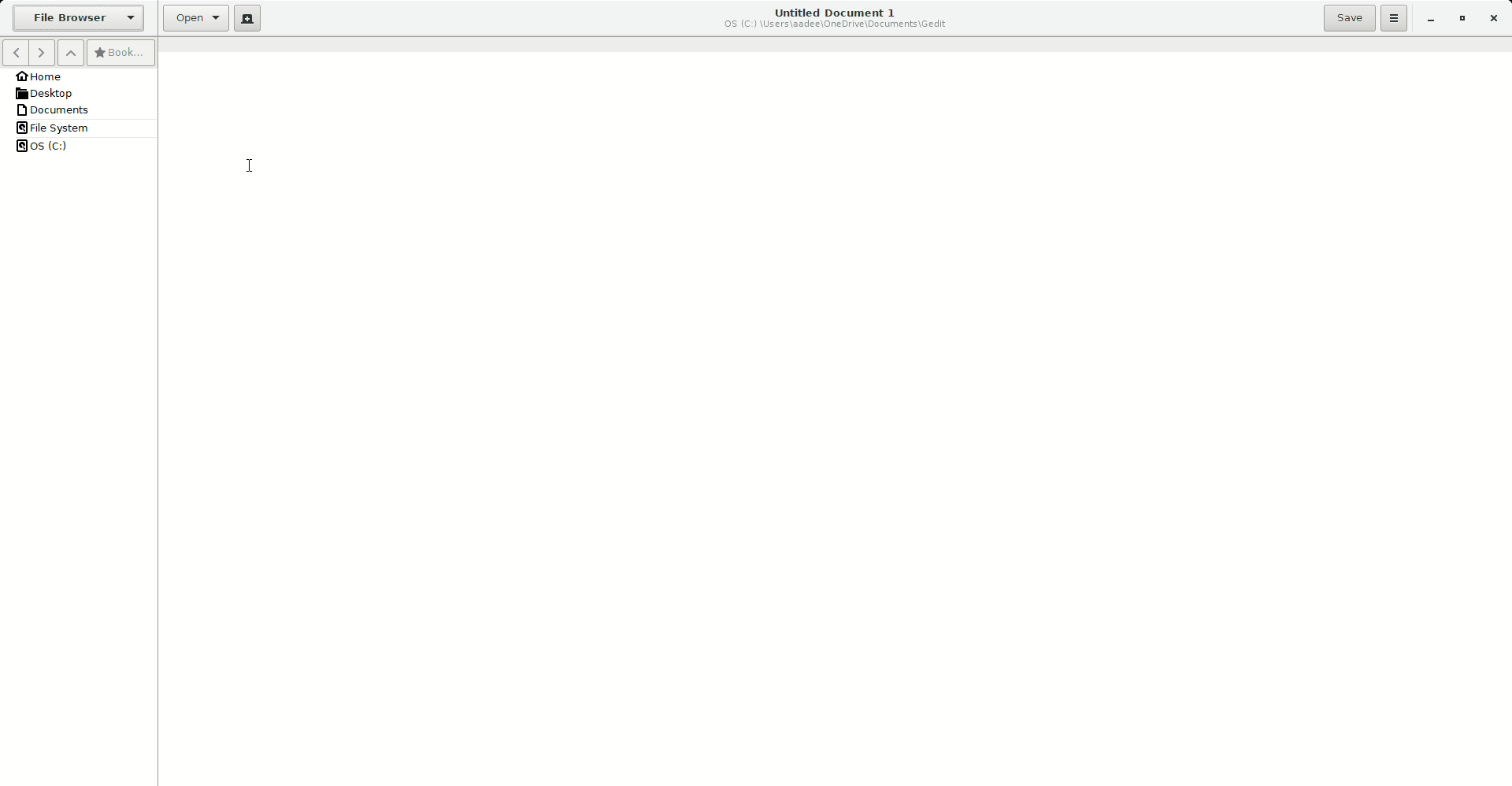 The width and height of the screenshot is (1512, 786). What do you see at coordinates (120, 53) in the screenshot?
I see `Bookmark` at bounding box center [120, 53].